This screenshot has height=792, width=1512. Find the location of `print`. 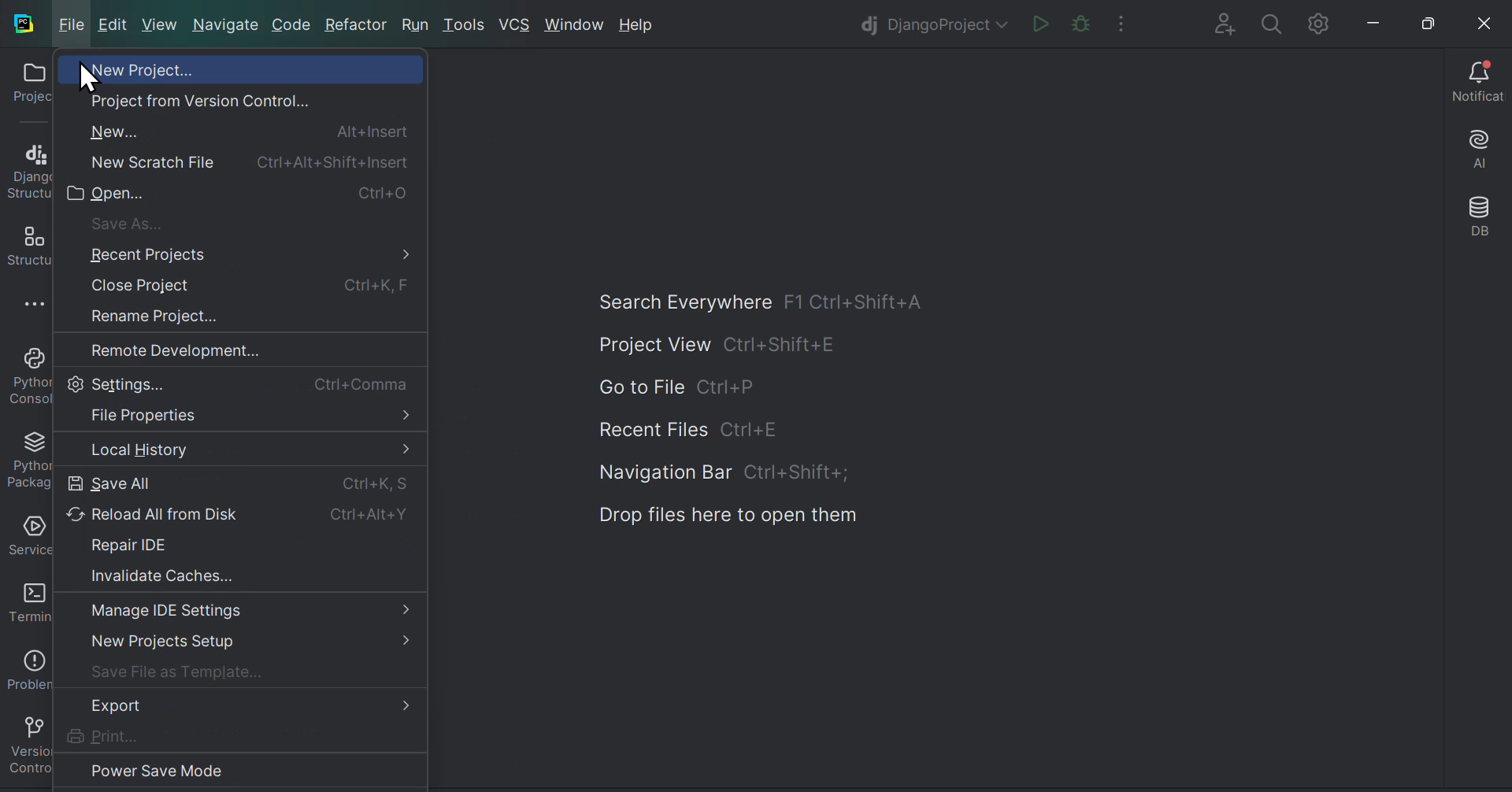

print is located at coordinates (135, 738).